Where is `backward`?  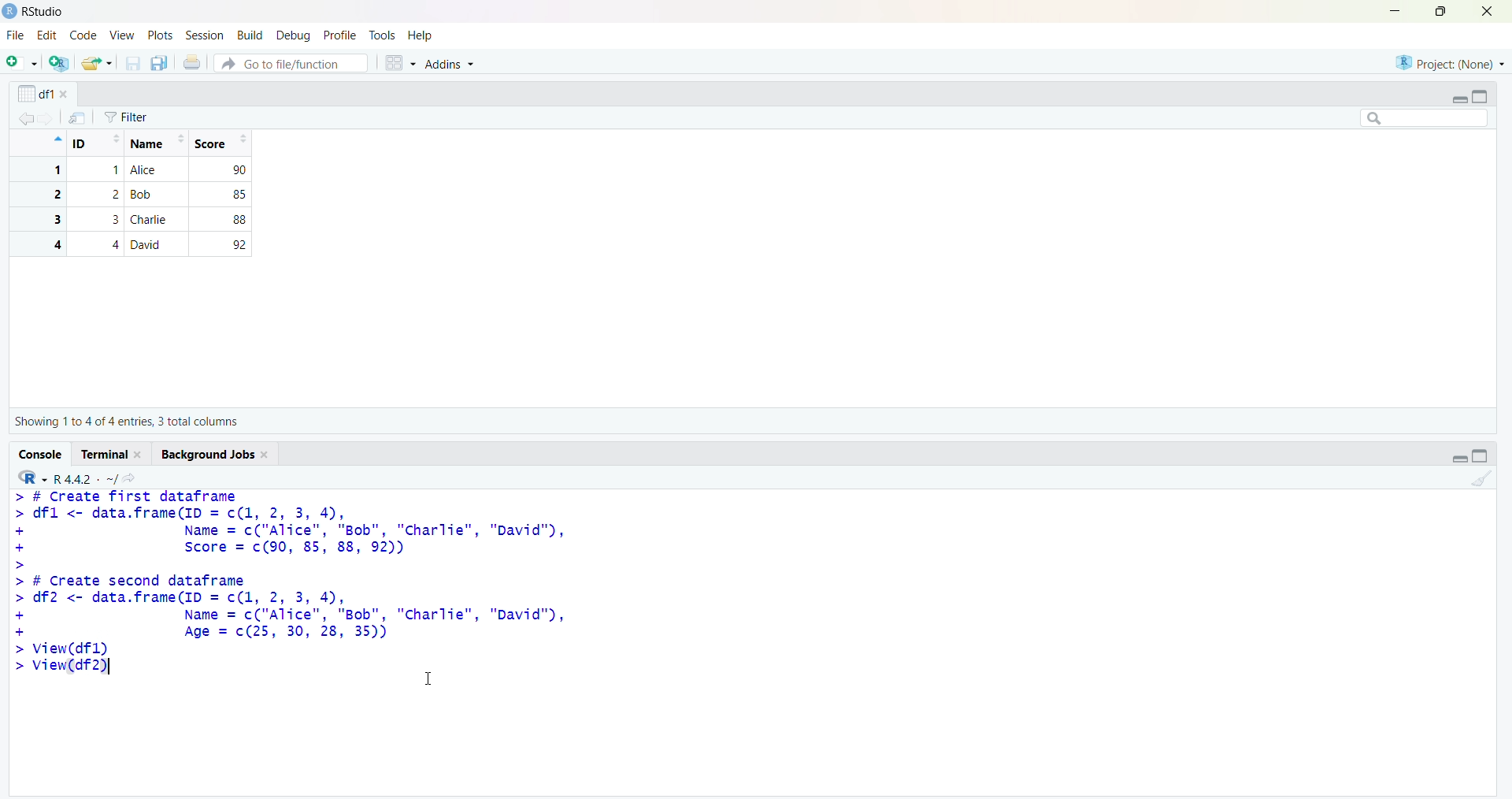 backward is located at coordinates (25, 118).